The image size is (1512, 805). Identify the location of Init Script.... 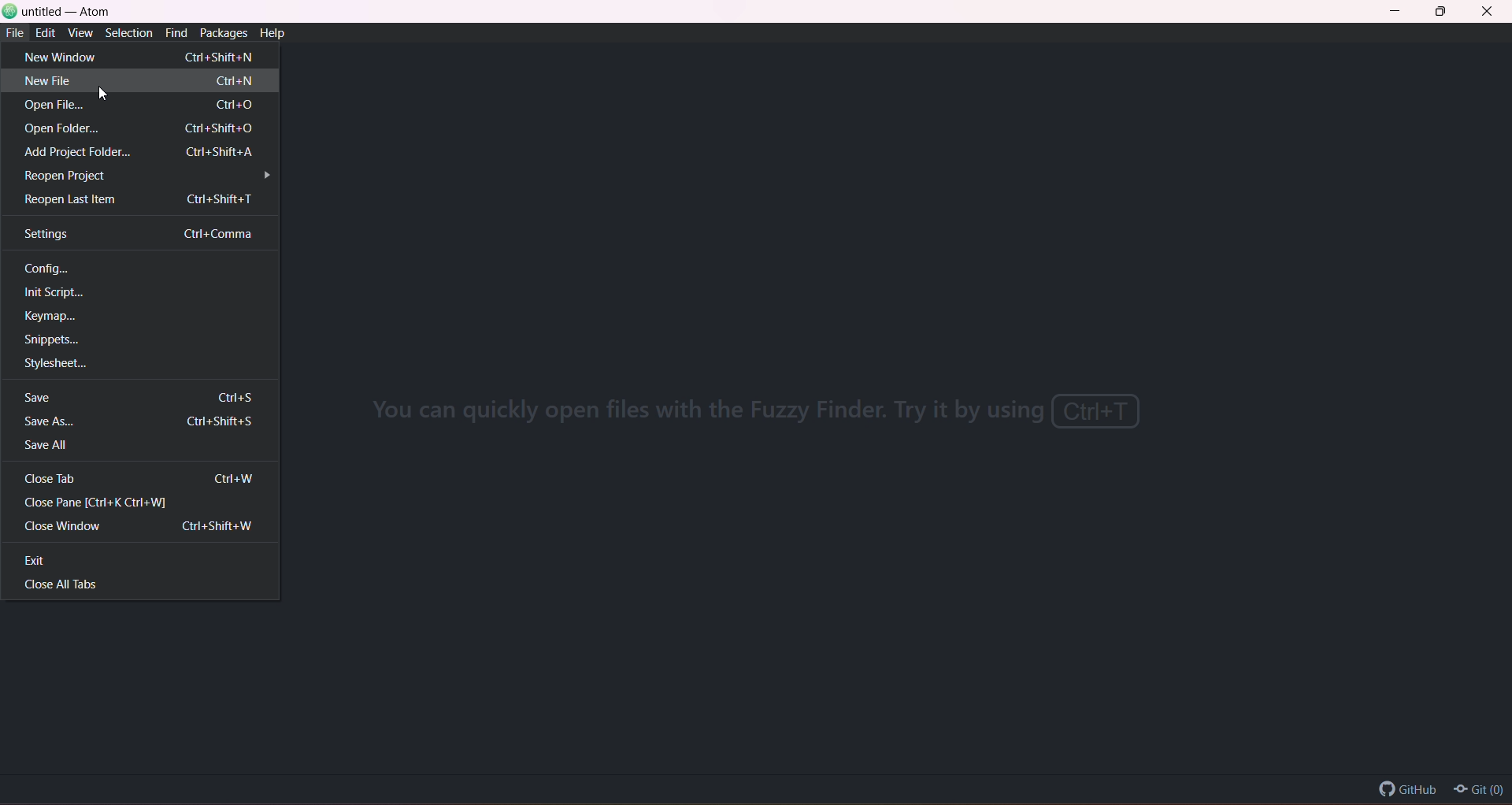
(70, 291).